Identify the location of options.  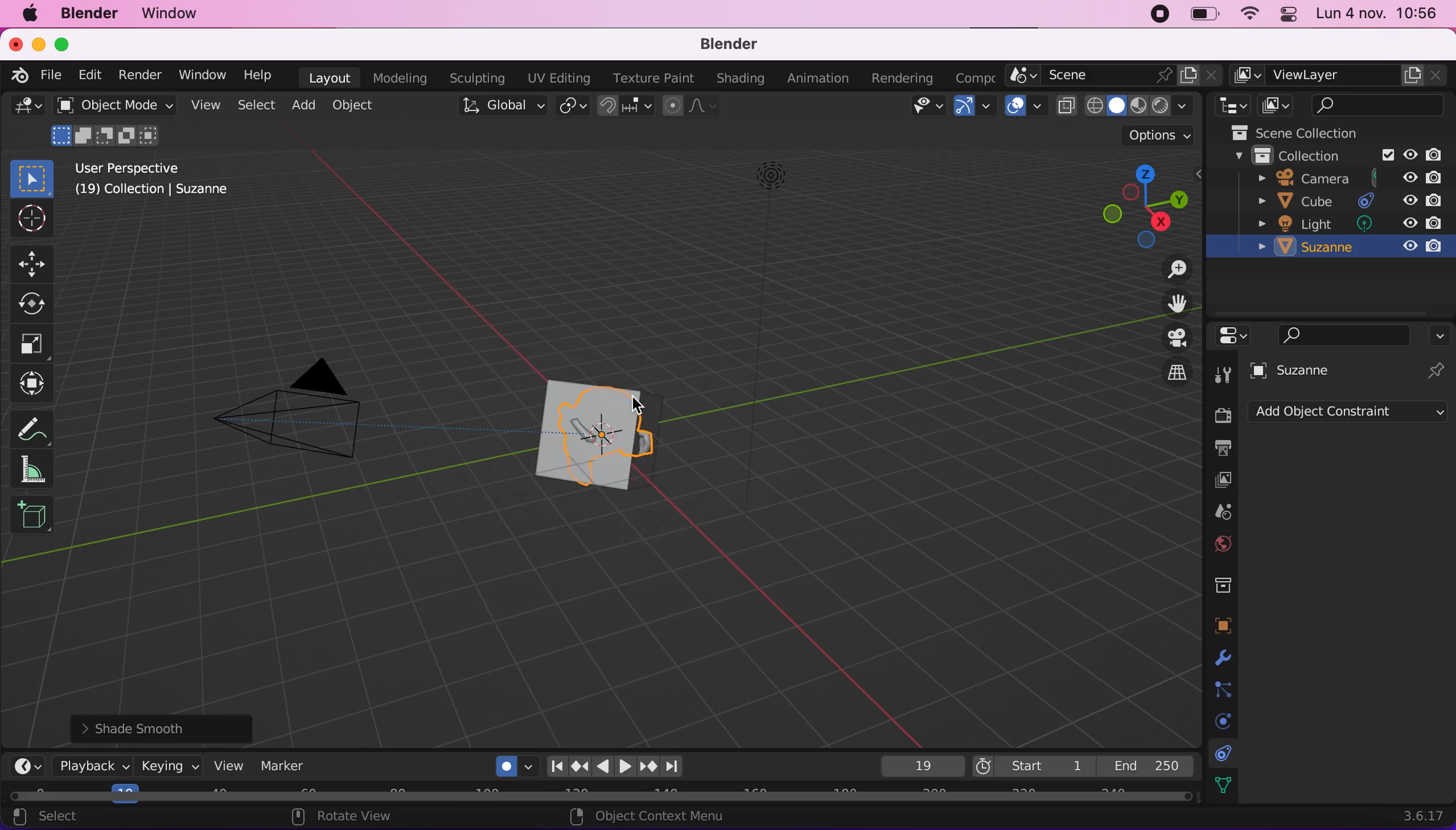
(1147, 135).